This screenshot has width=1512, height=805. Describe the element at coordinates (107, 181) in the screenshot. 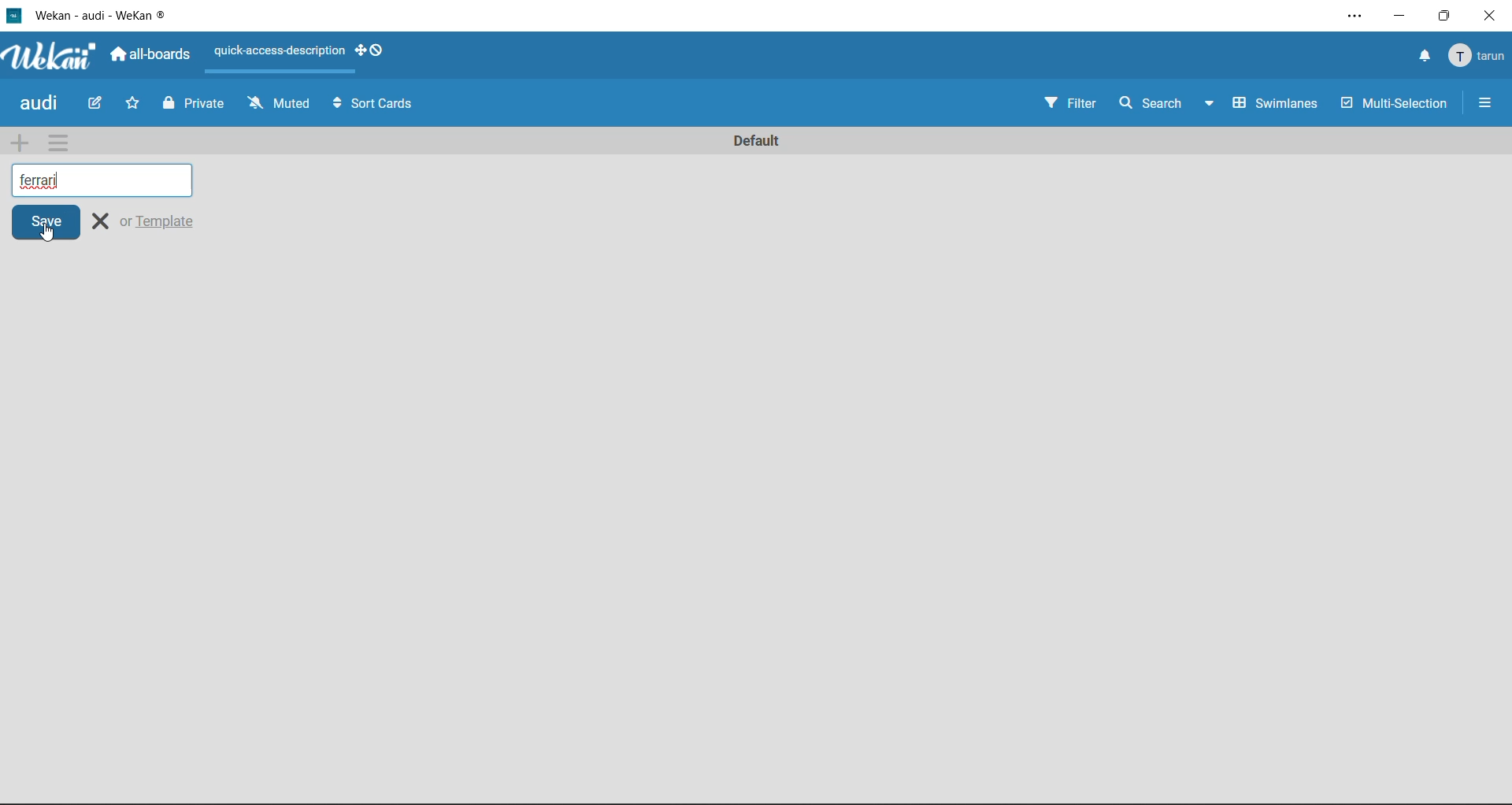

I see `ferrari` at that location.